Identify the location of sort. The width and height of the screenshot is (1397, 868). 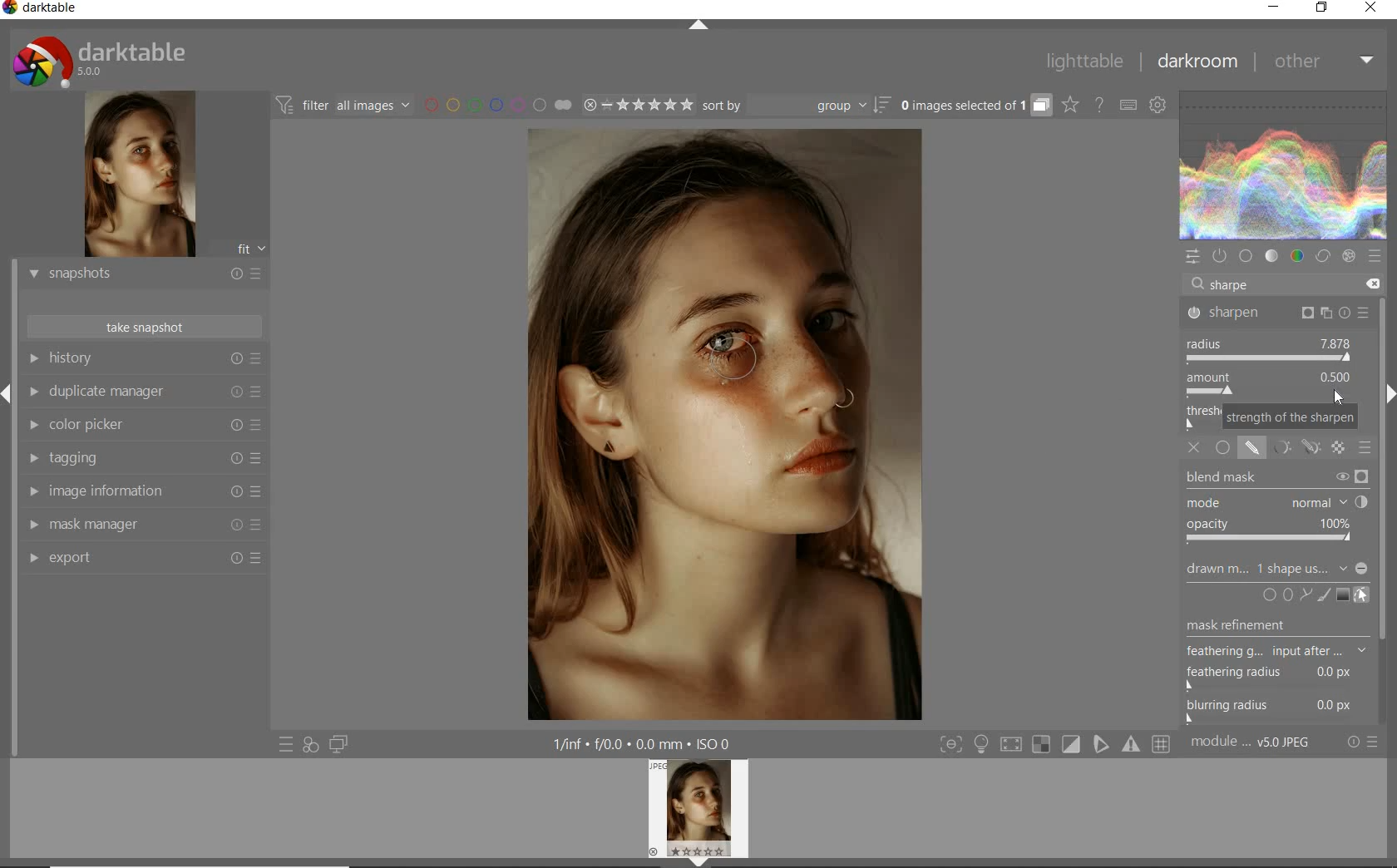
(795, 106).